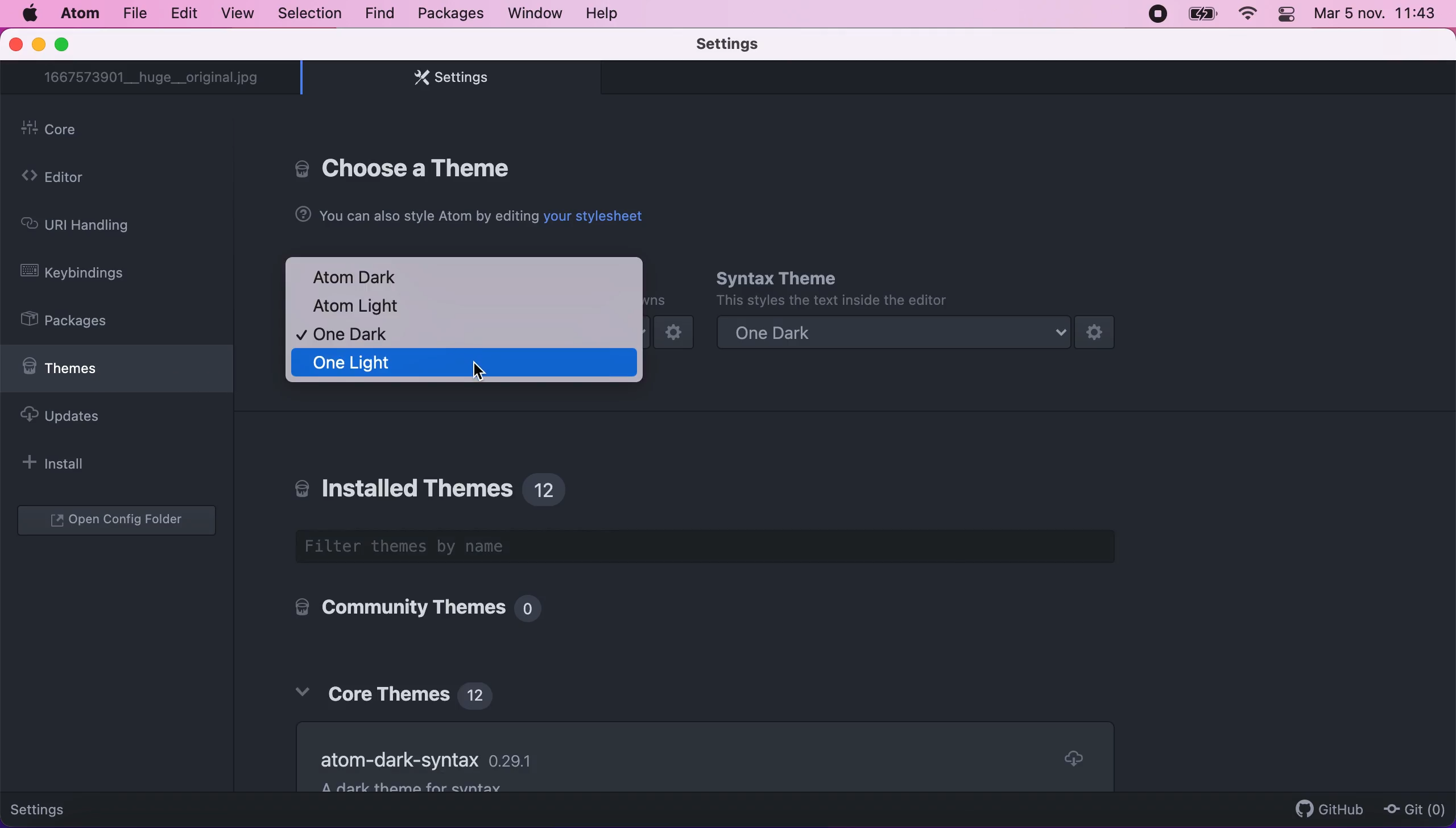  What do you see at coordinates (1286, 15) in the screenshot?
I see `panel control` at bounding box center [1286, 15].